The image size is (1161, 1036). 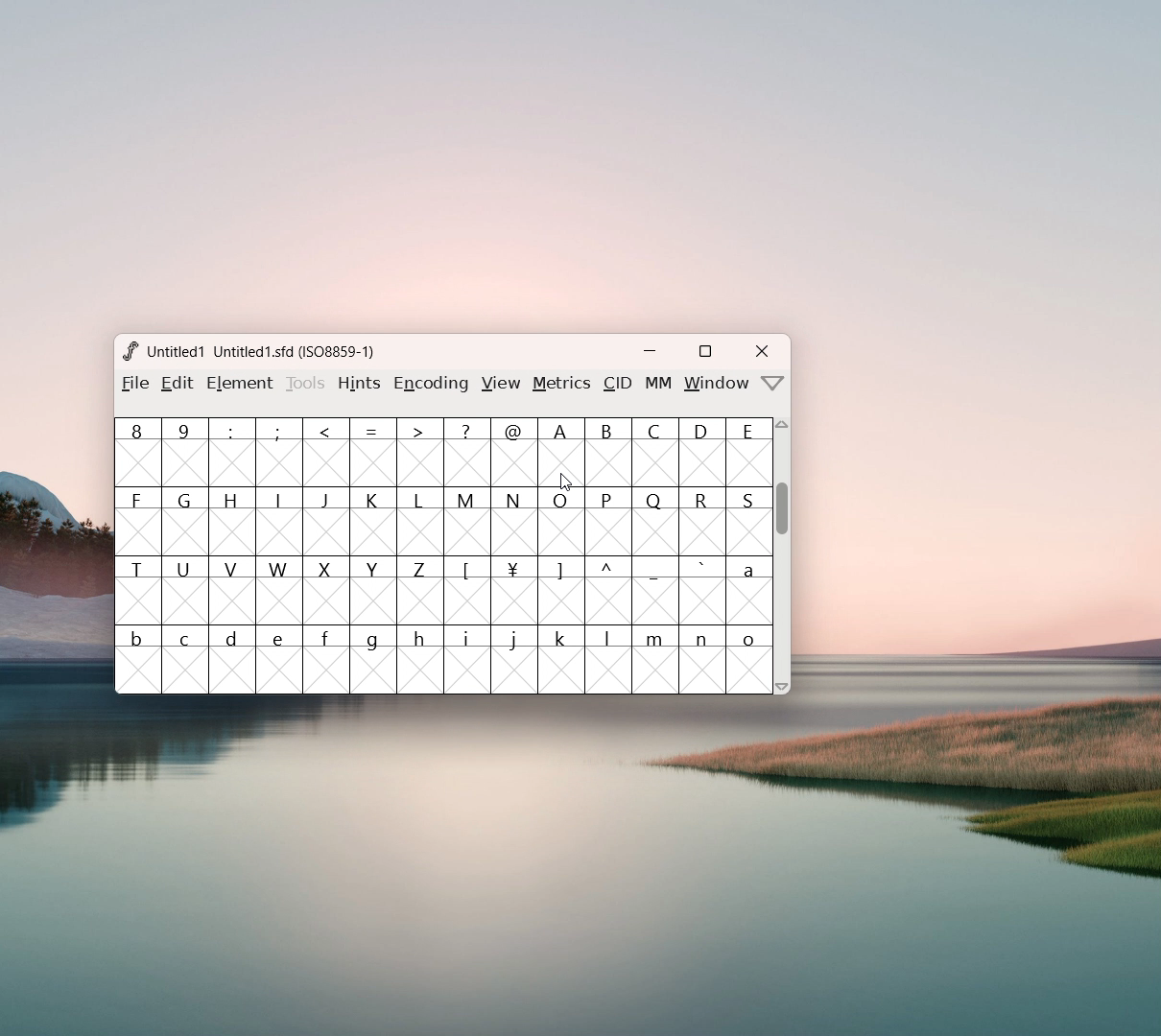 What do you see at coordinates (783, 686) in the screenshot?
I see `scroll down` at bounding box center [783, 686].